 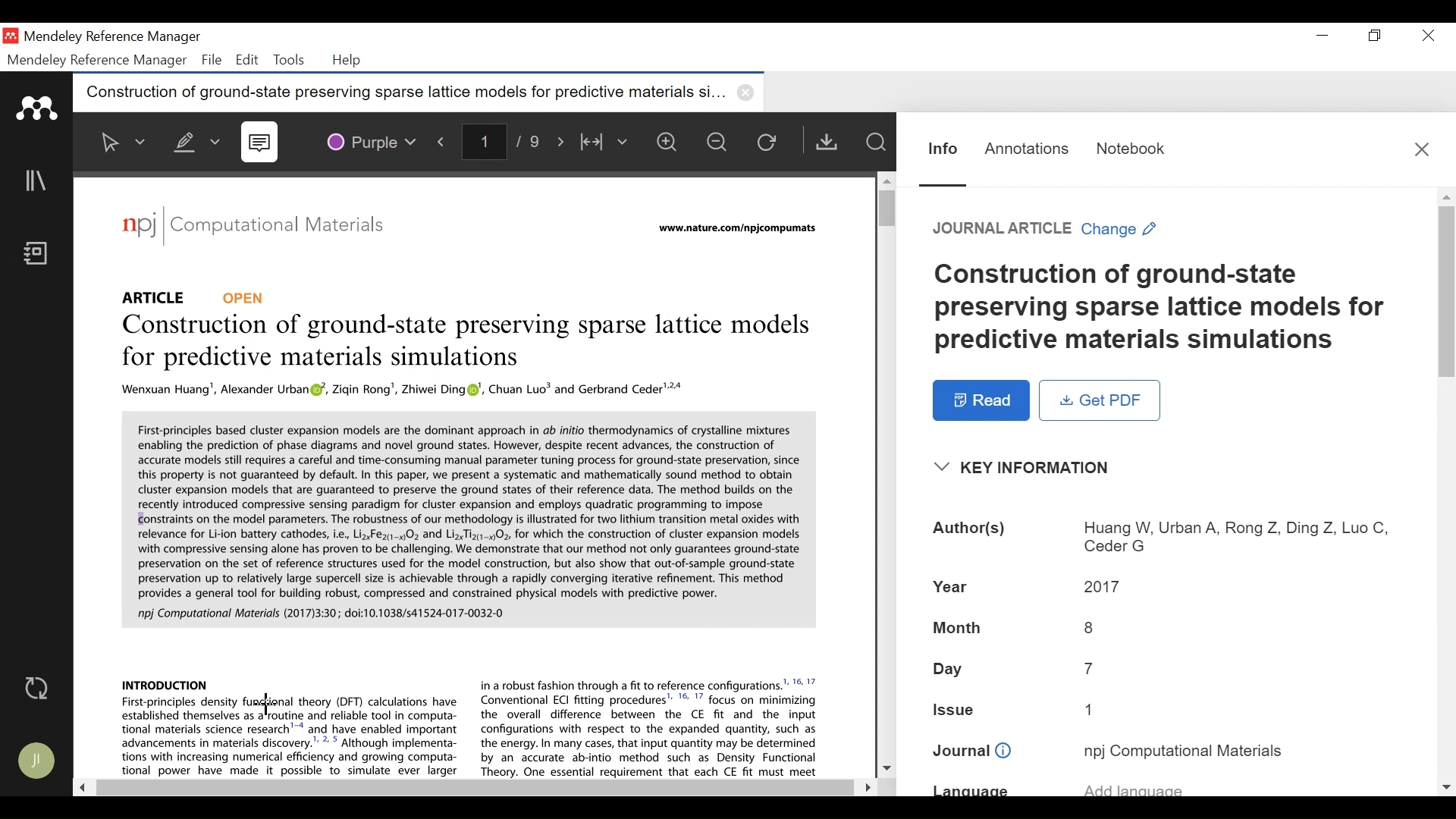 I want to click on Page Number/Total Number of Pae, so click(x=504, y=143).